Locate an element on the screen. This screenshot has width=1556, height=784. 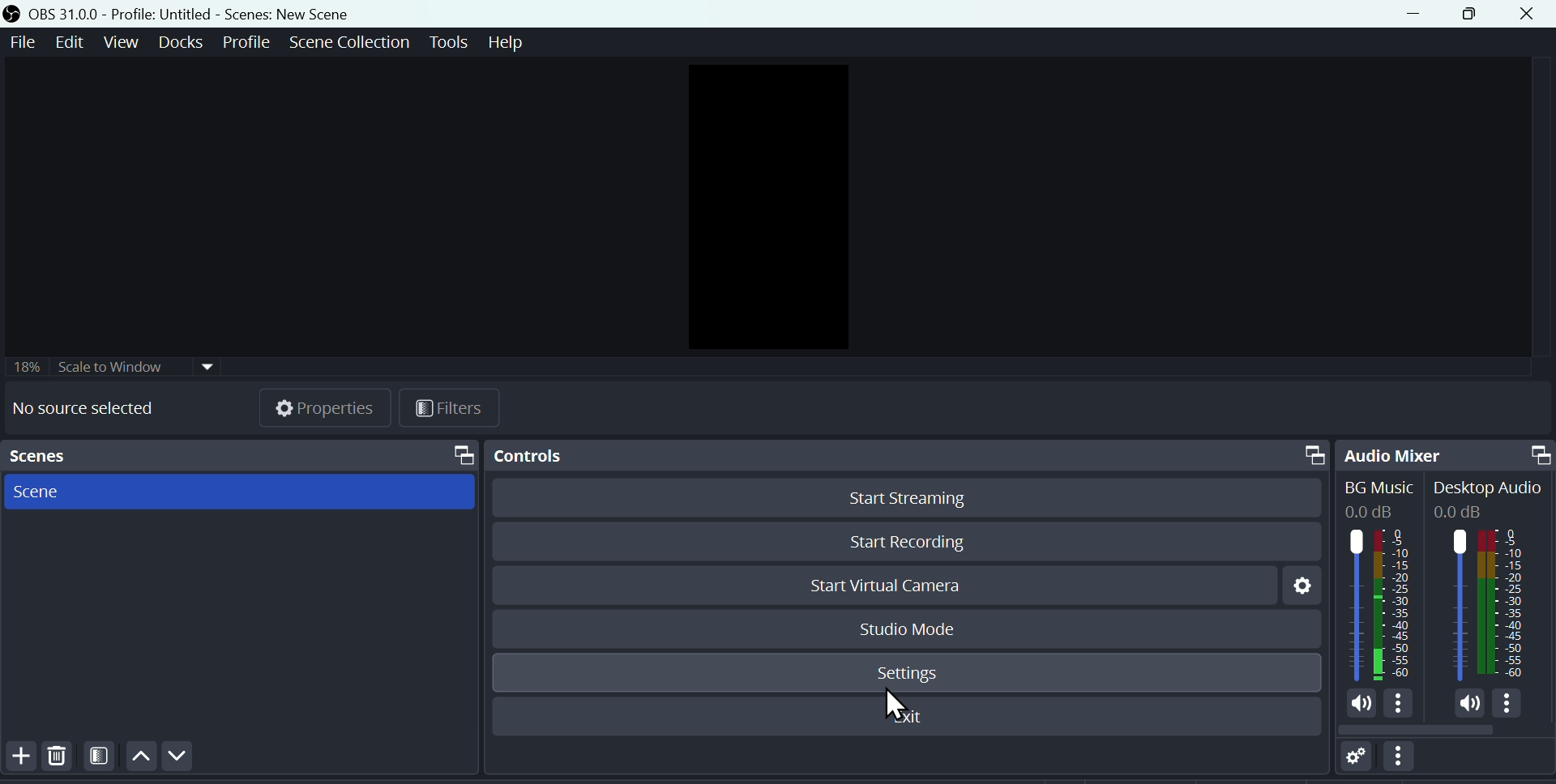
Exit is located at coordinates (904, 718).